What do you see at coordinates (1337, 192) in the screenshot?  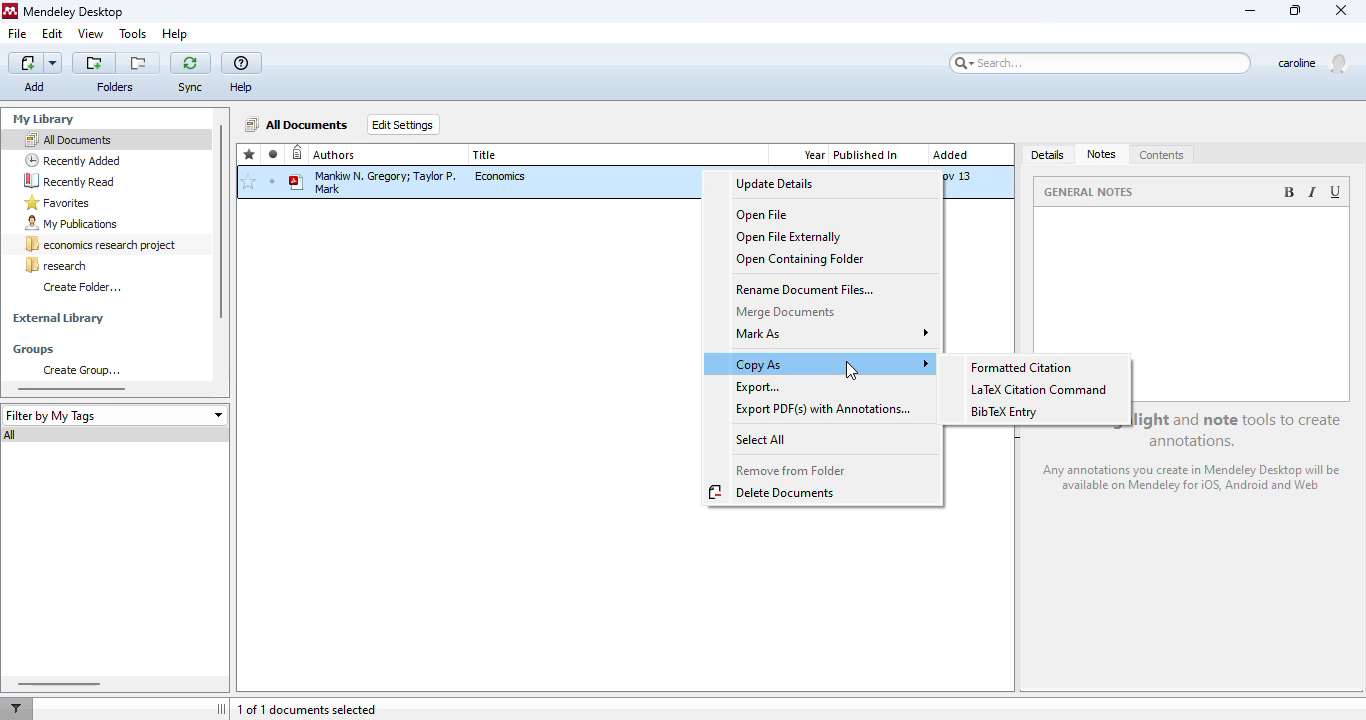 I see `underlined` at bounding box center [1337, 192].